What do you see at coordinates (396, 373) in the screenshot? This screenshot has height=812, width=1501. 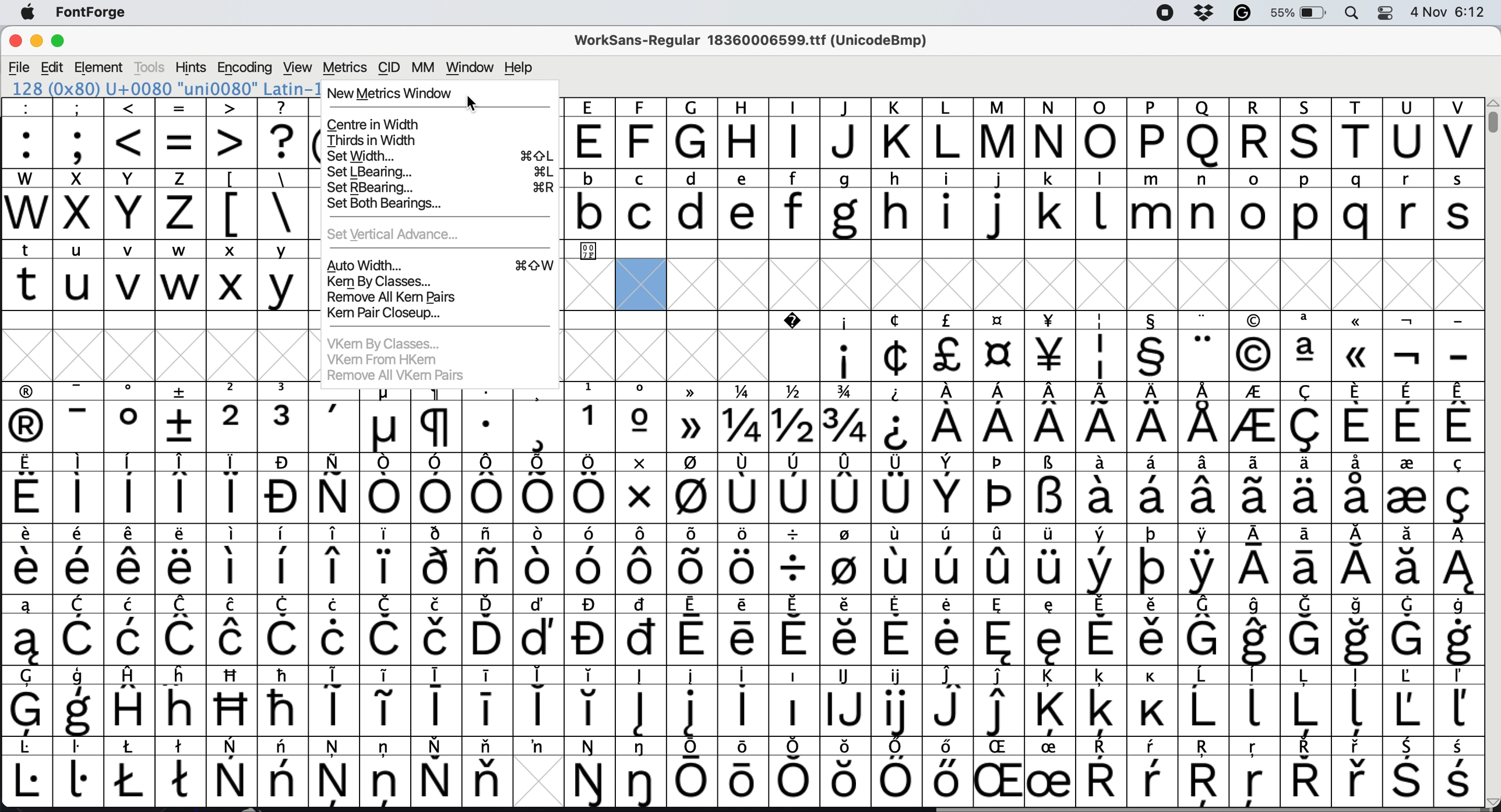 I see `remove all vkem pairs` at bounding box center [396, 373].